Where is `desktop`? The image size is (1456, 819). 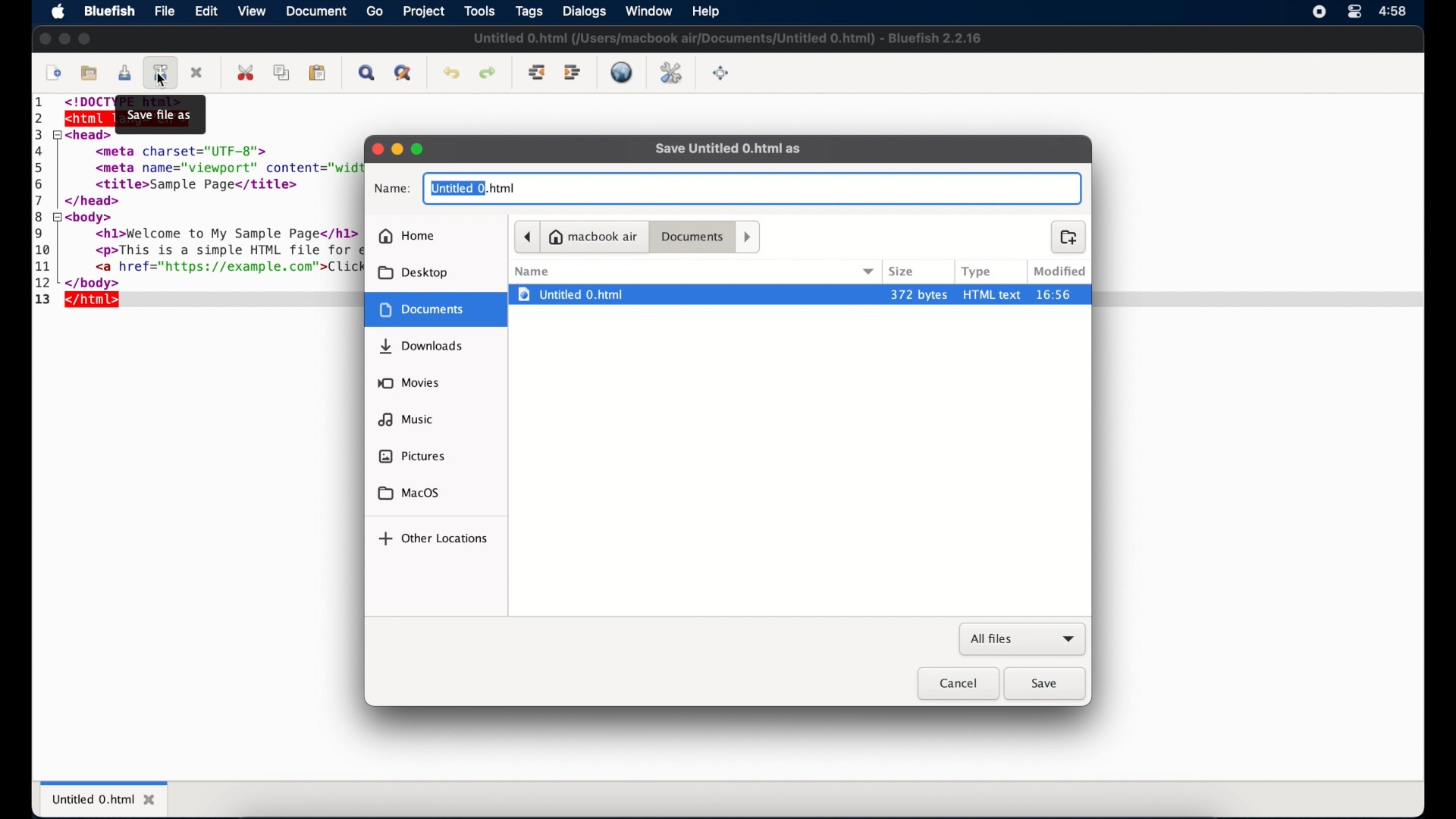
desktop is located at coordinates (413, 273).